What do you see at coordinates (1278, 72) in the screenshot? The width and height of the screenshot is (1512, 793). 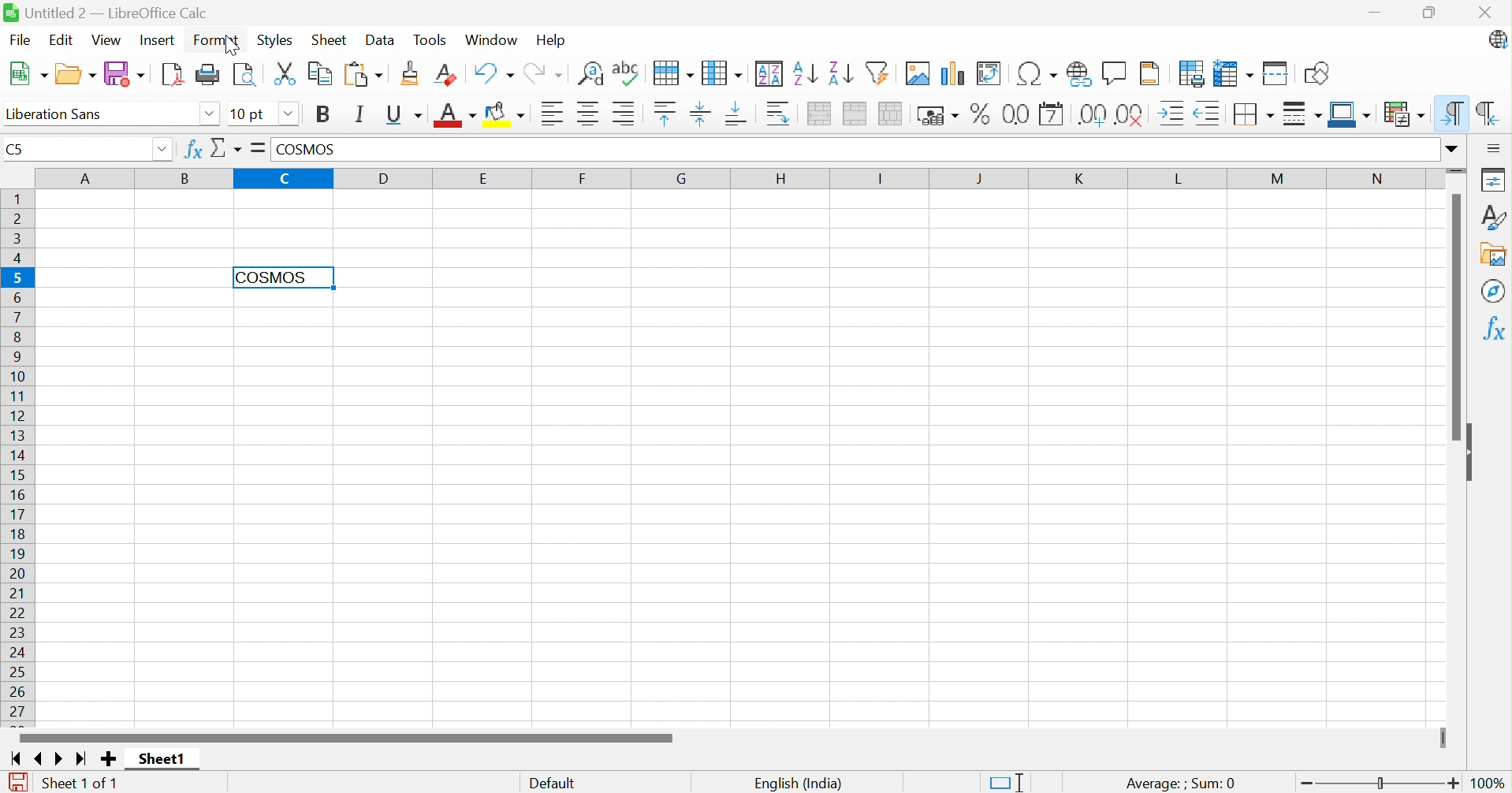 I see `Split Window` at bounding box center [1278, 72].